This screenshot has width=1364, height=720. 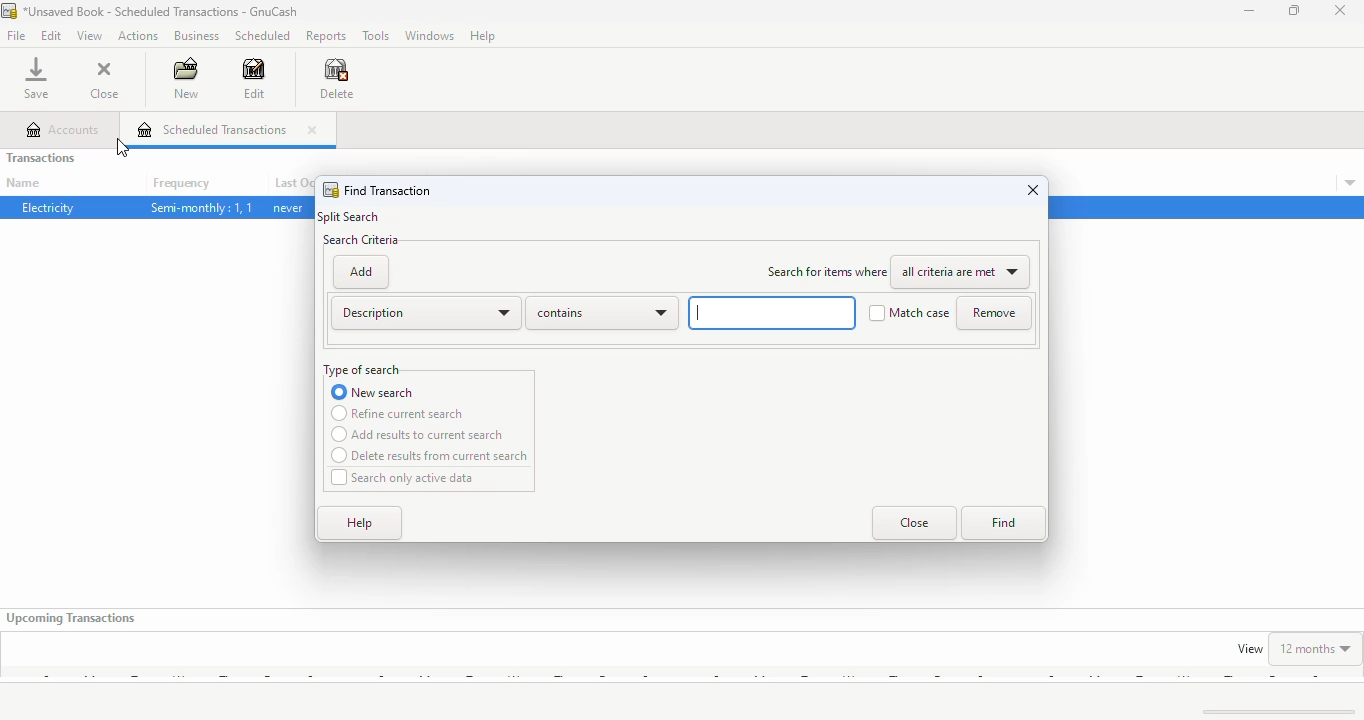 What do you see at coordinates (138, 36) in the screenshot?
I see `actions` at bounding box center [138, 36].